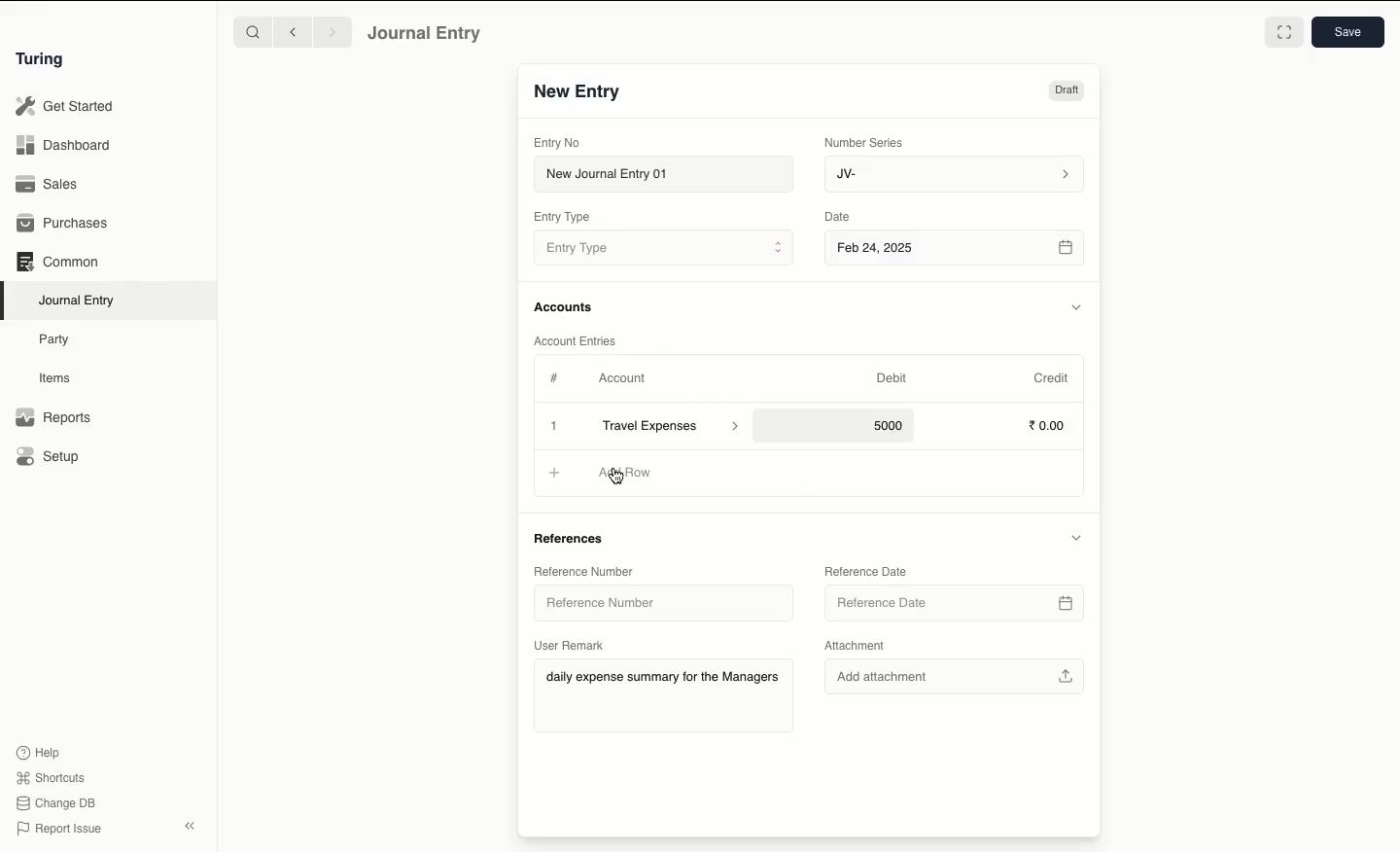 The width and height of the screenshot is (1400, 852). I want to click on Forward, so click(333, 31).